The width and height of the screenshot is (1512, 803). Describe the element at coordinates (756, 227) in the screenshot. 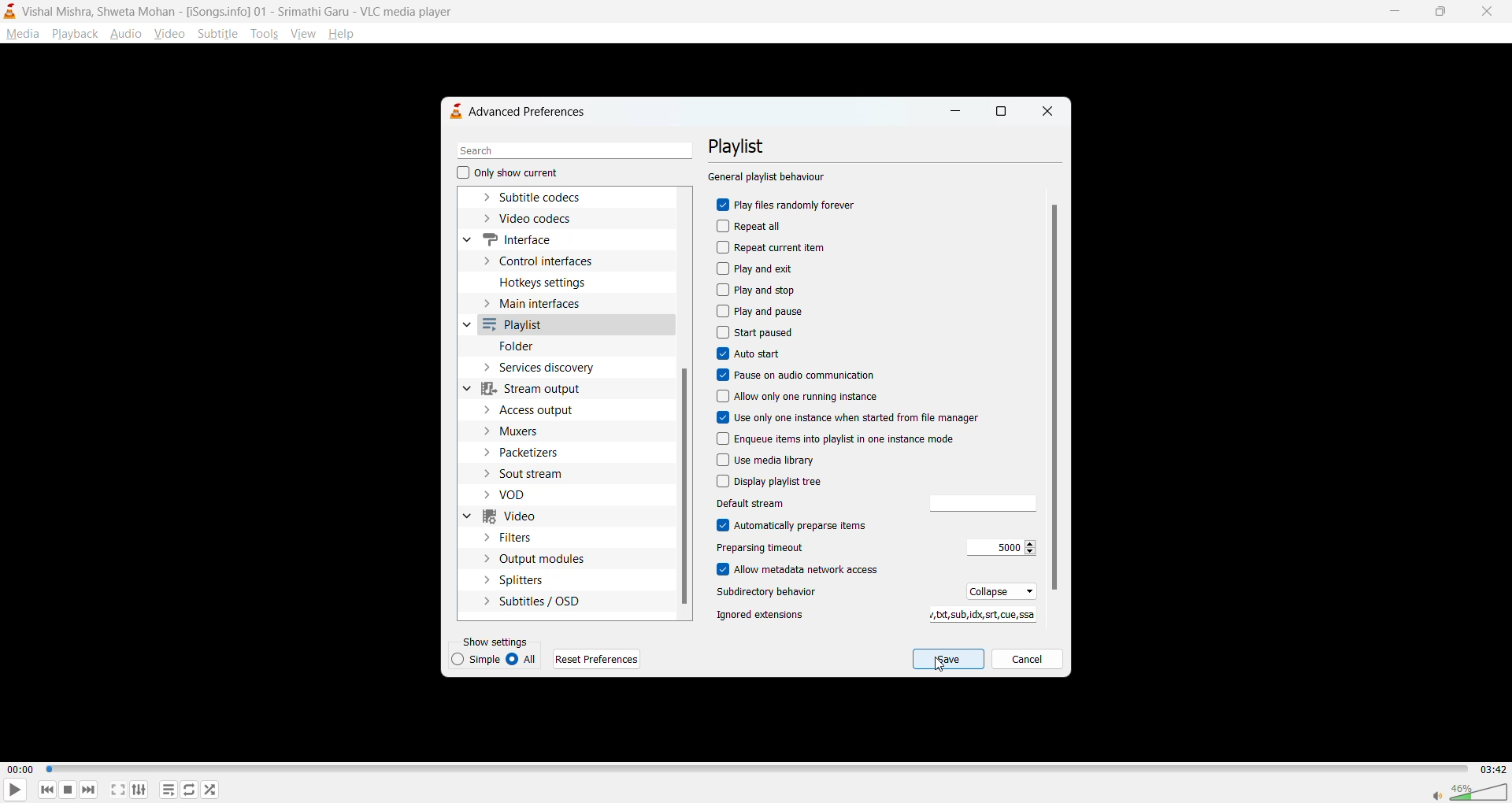

I see `repeat all` at that location.